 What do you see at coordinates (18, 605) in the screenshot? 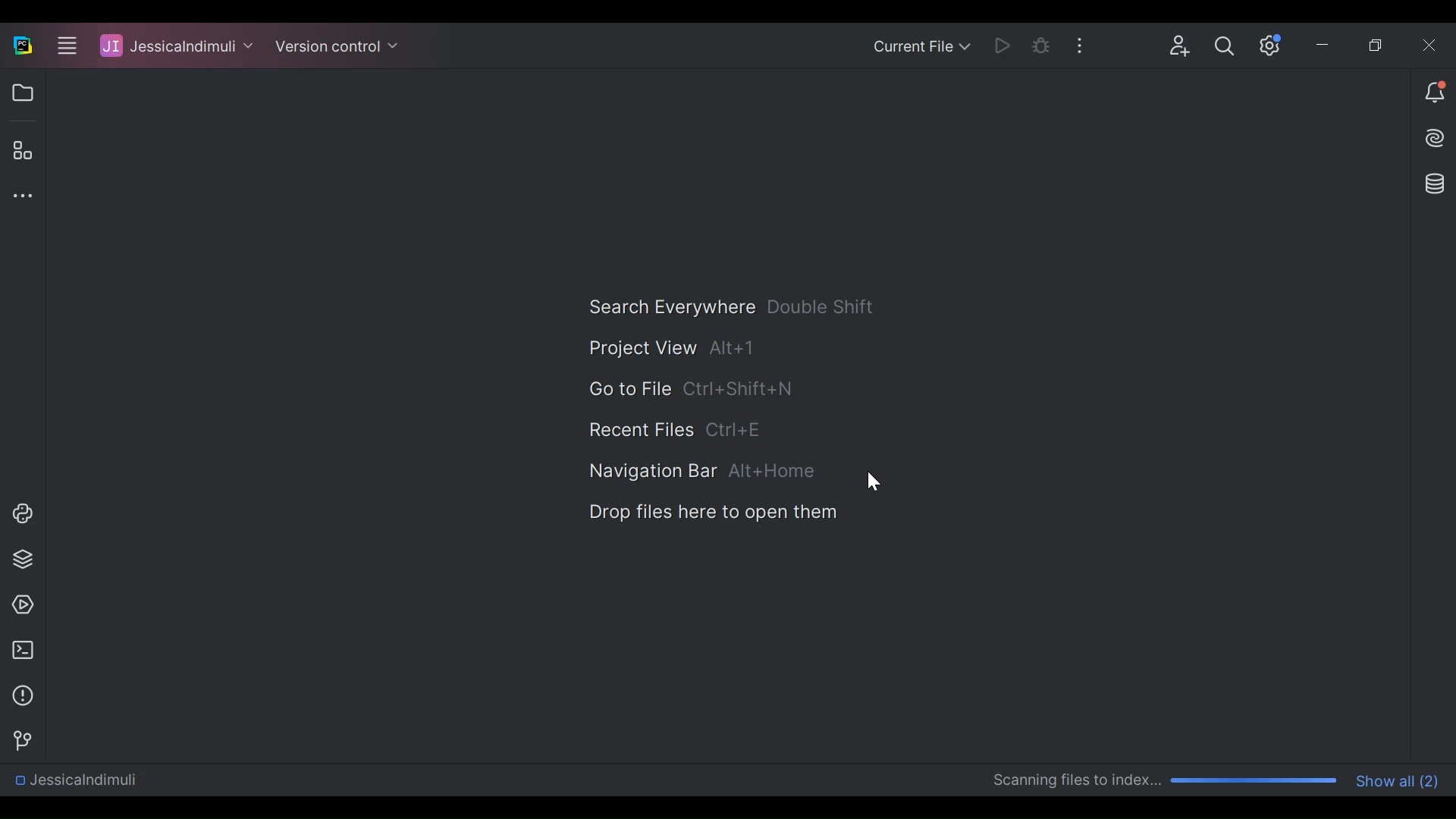
I see `Services` at bounding box center [18, 605].